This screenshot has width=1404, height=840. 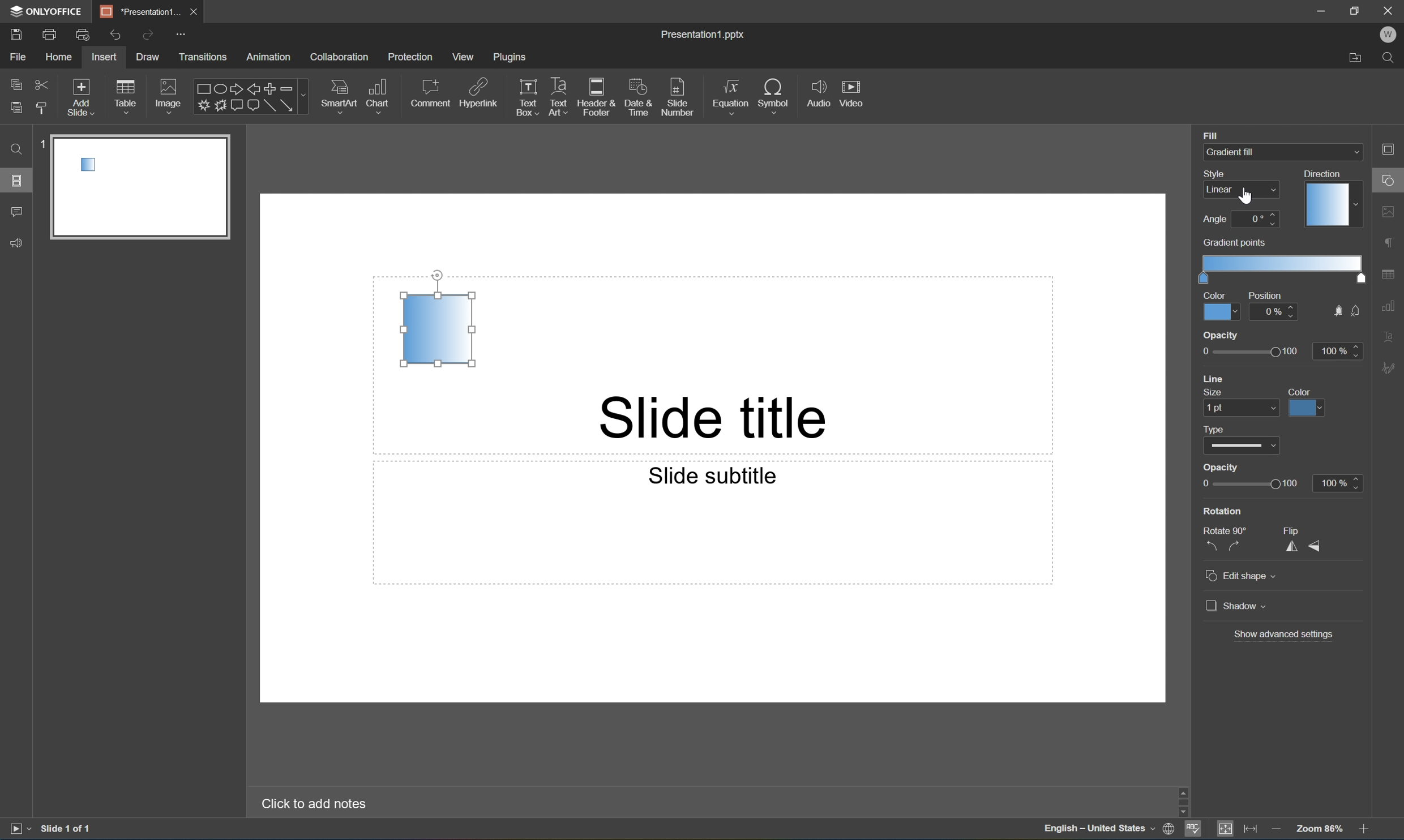 I want to click on Restore Down, so click(x=1356, y=8).